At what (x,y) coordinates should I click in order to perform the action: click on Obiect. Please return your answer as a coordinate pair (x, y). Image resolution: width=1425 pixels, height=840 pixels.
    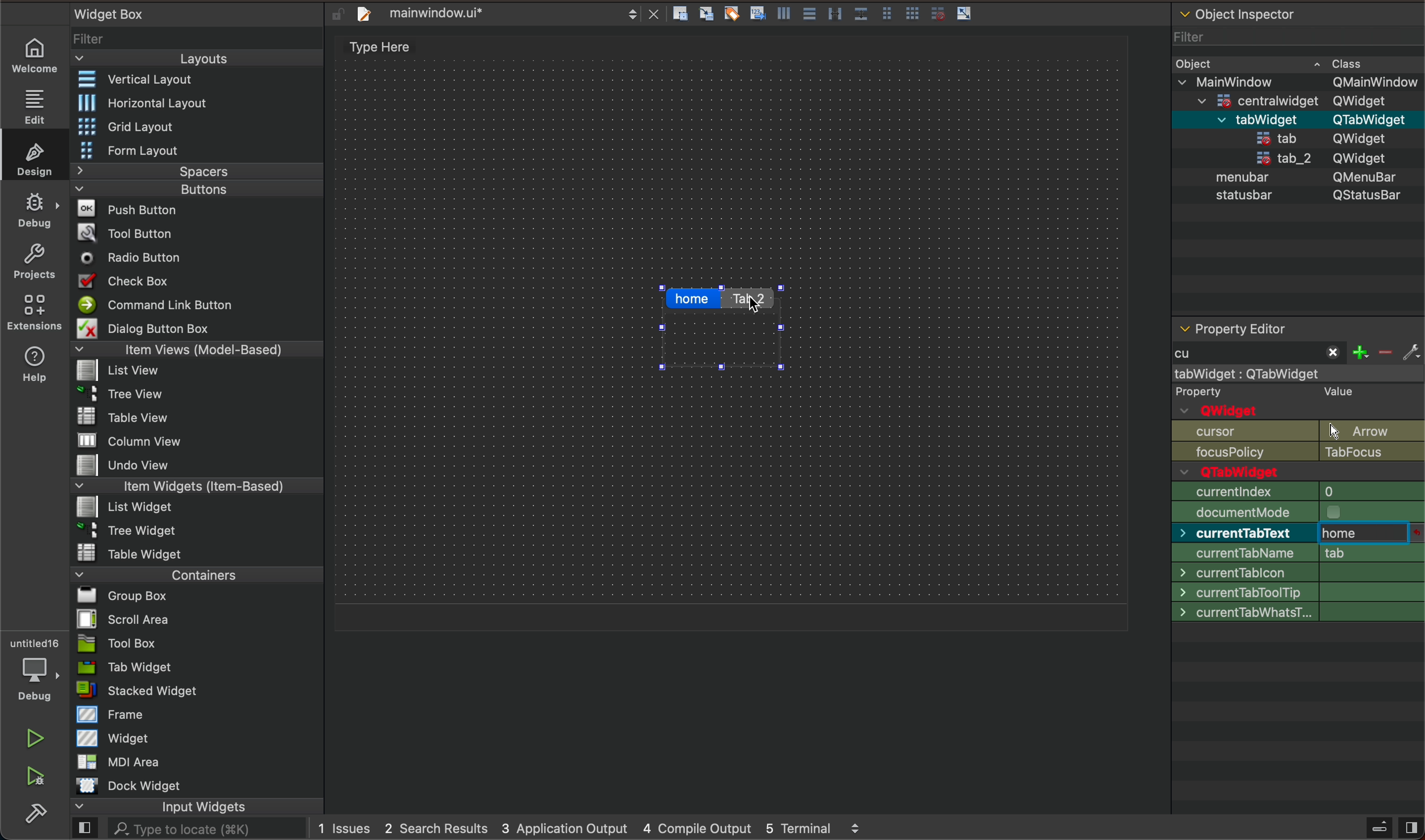
    Looking at the image, I should click on (1194, 61).